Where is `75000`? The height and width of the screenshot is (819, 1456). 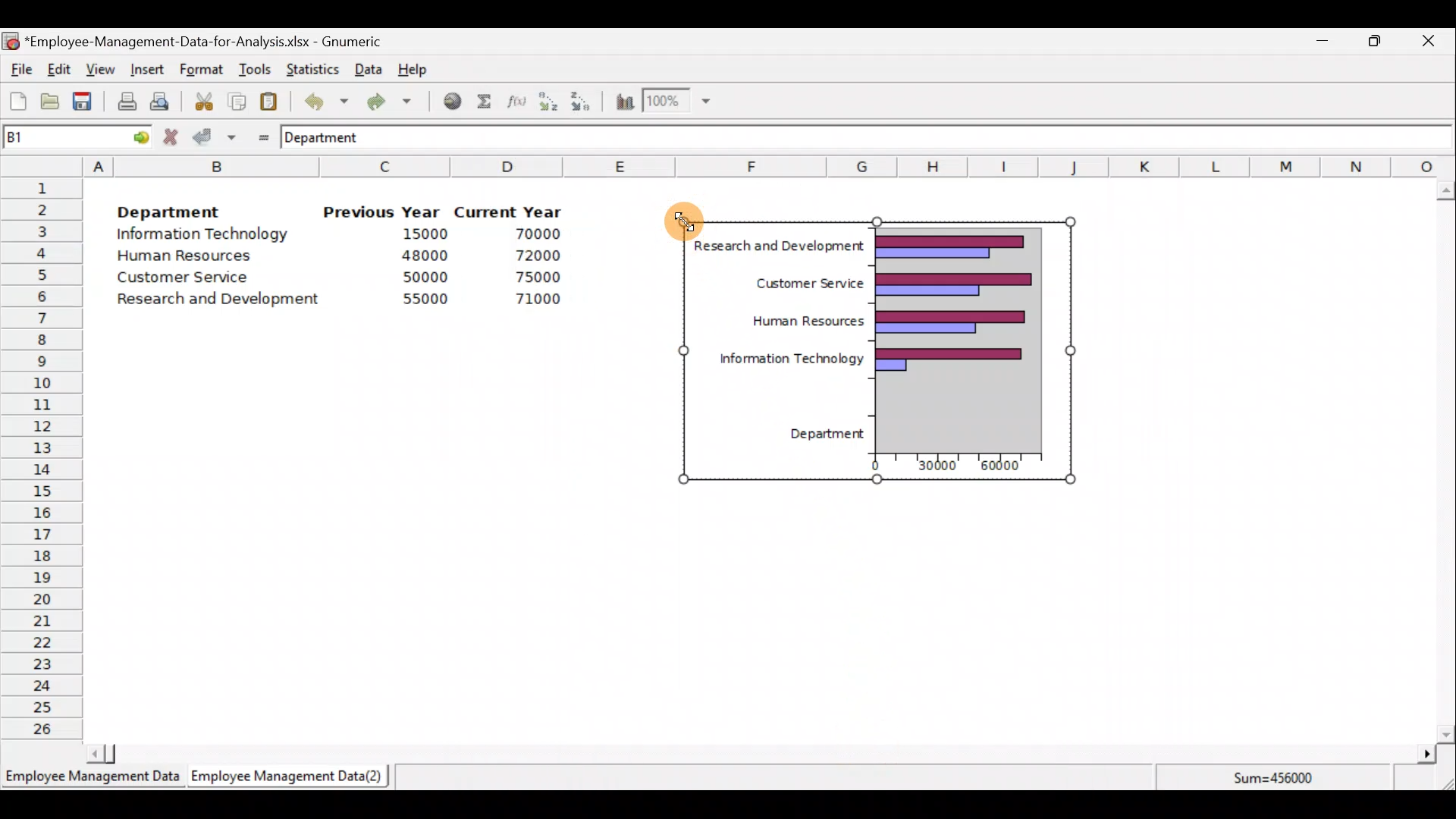
75000 is located at coordinates (529, 278).